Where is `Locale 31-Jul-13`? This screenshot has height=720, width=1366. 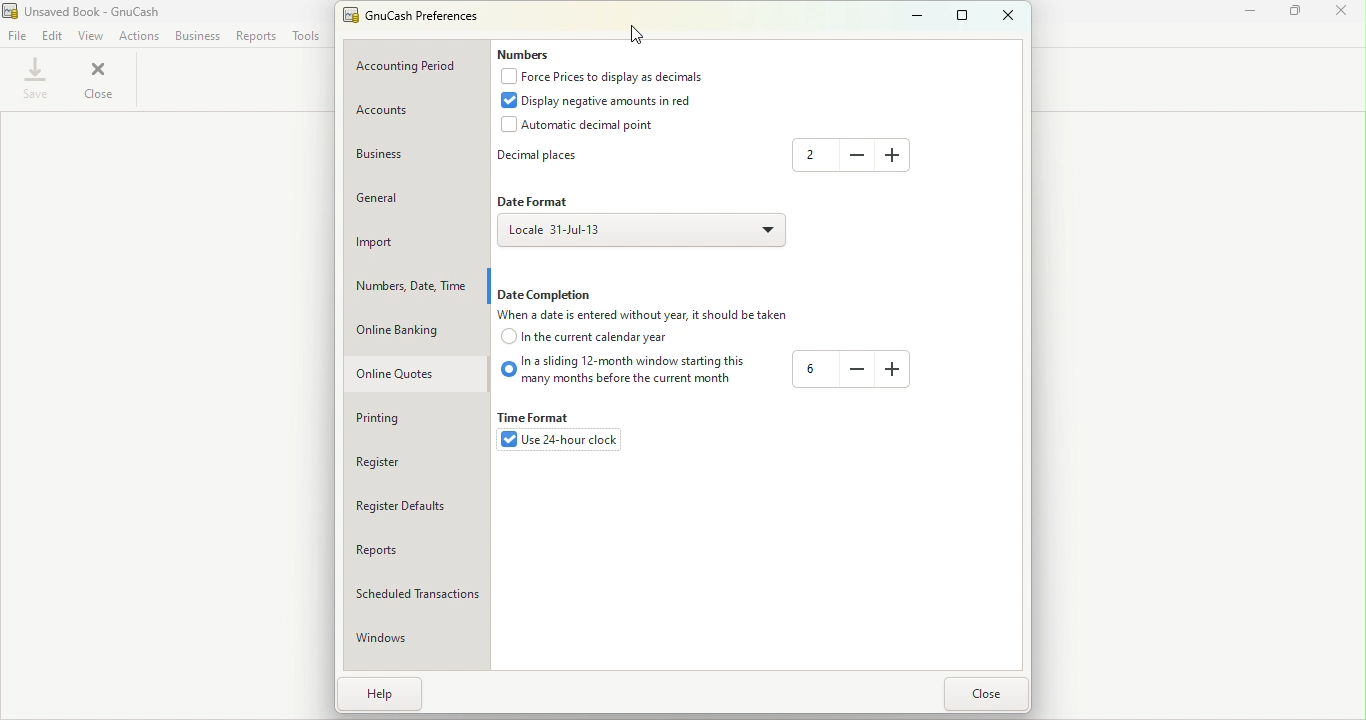 Locale 31-Jul-13 is located at coordinates (642, 231).